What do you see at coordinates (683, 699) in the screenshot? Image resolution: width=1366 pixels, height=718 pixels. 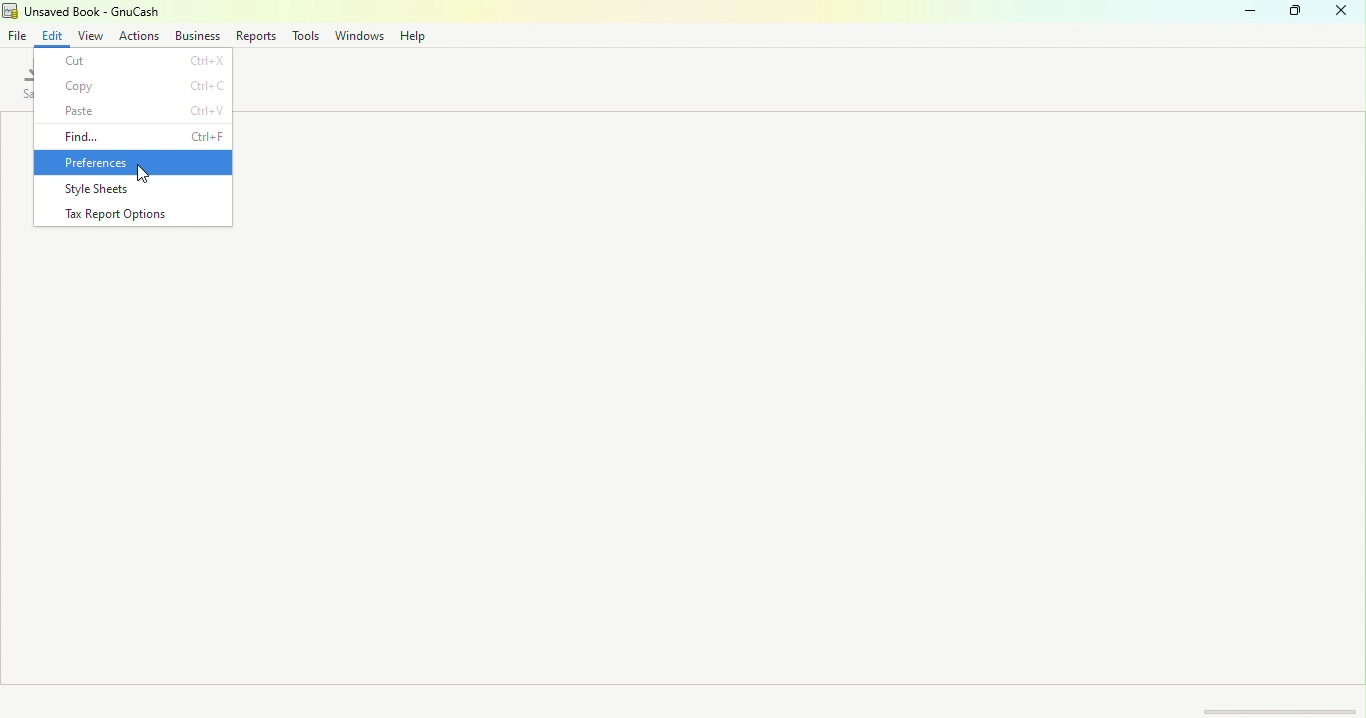 I see `Status bar` at bounding box center [683, 699].